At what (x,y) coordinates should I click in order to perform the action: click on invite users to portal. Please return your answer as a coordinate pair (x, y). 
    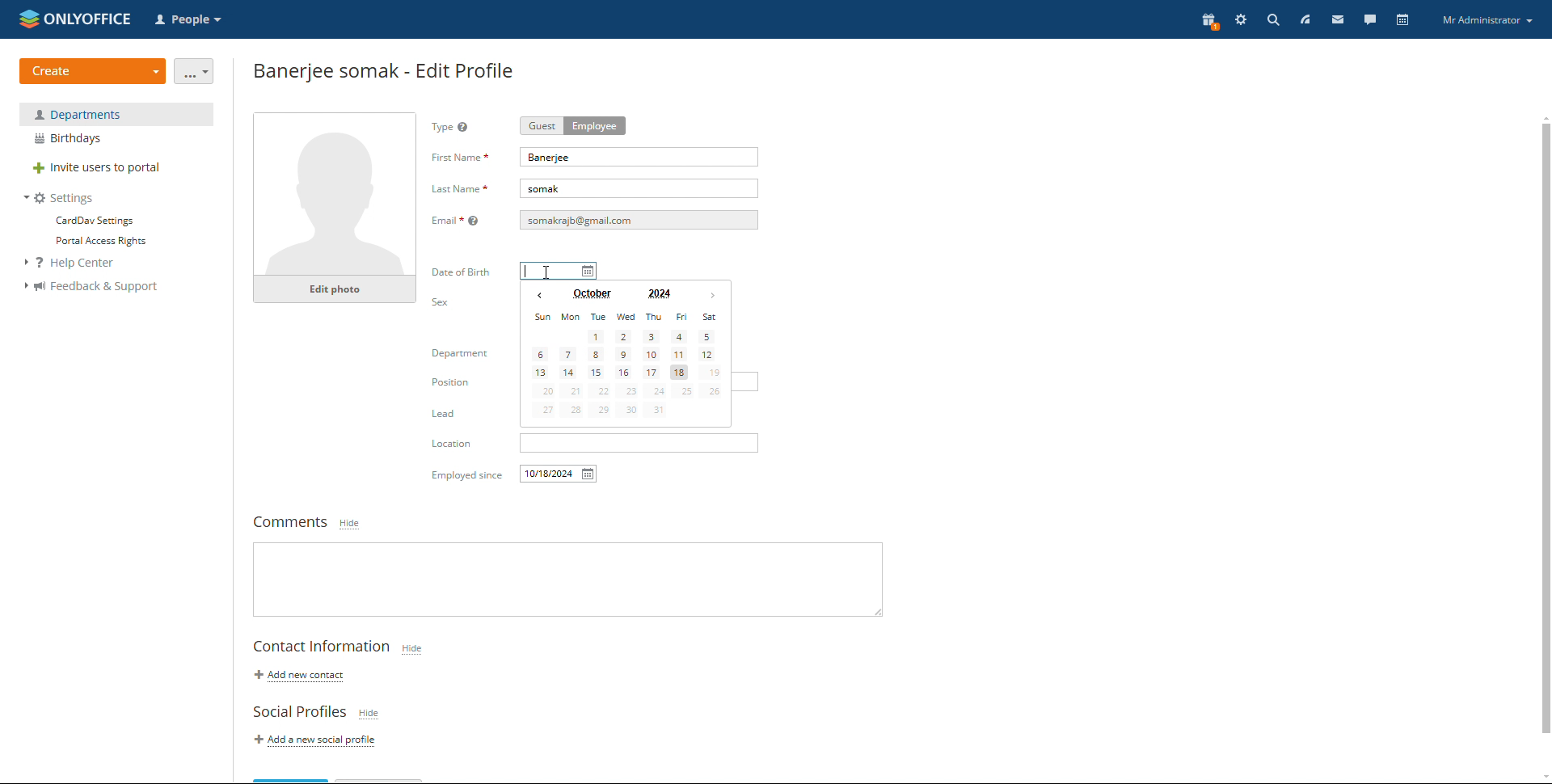
    Looking at the image, I should click on (116, 169).